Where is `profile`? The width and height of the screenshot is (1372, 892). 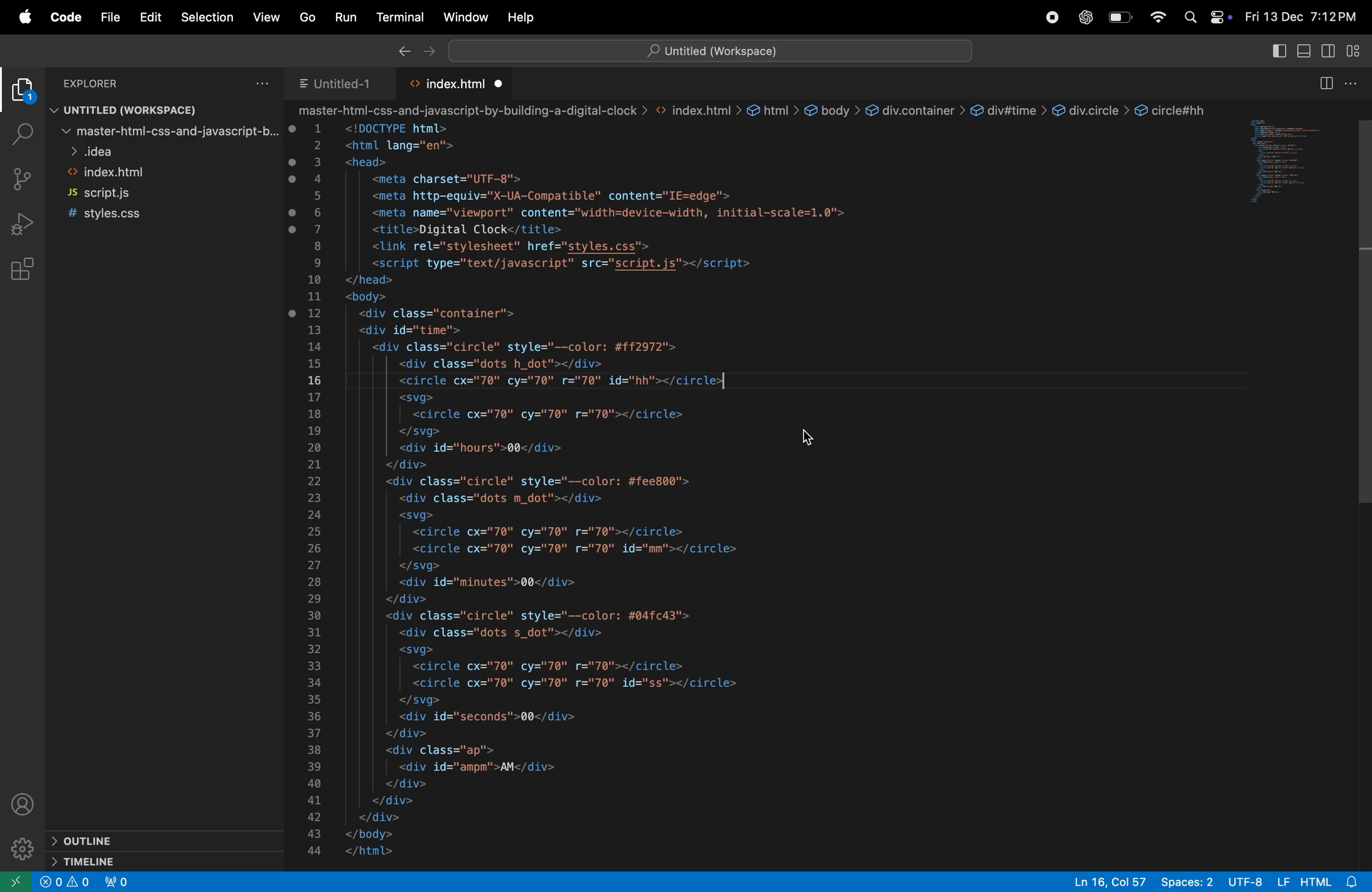
profile is located at coordinates (27, 807).